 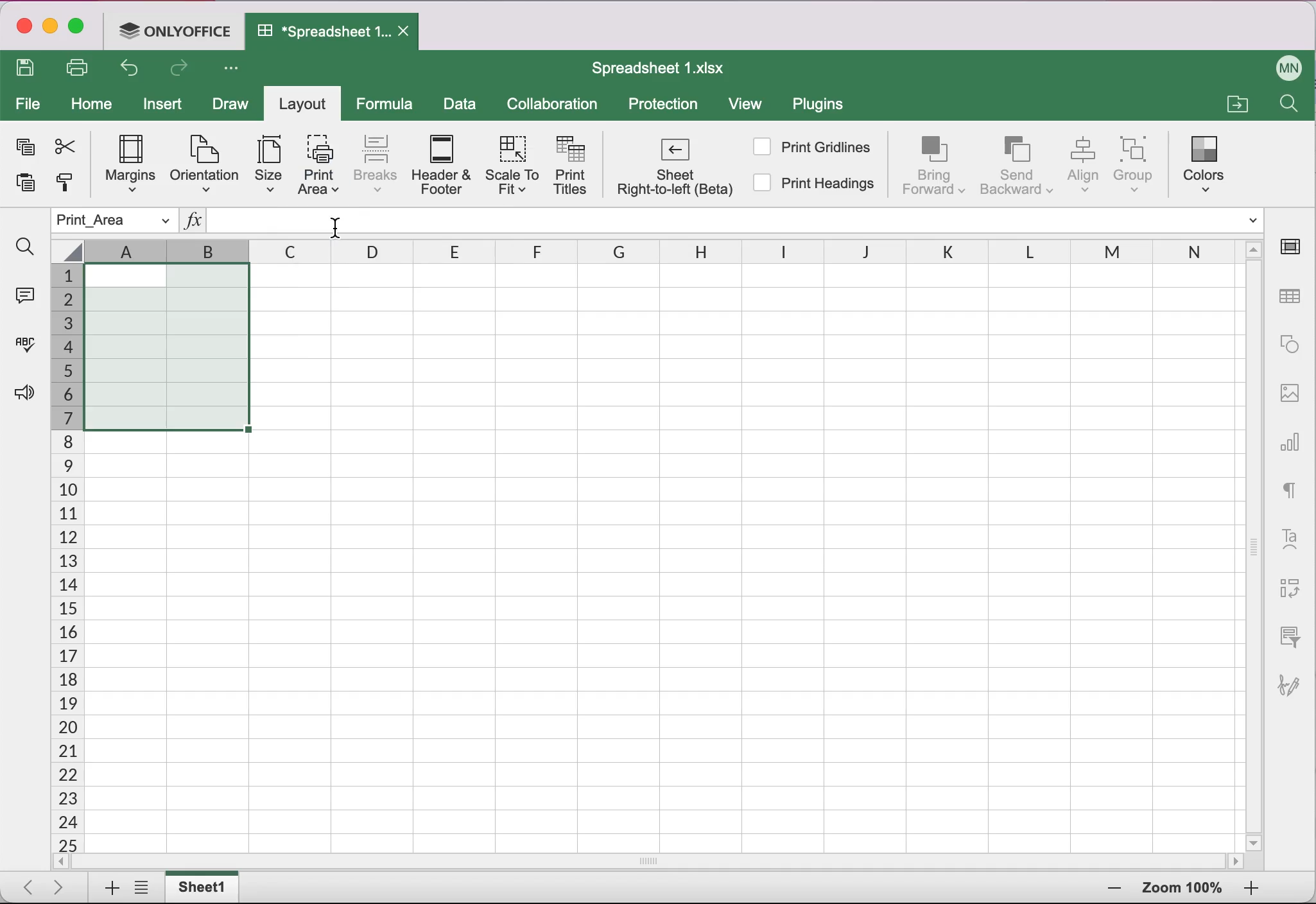 What do you see at coordinates (81, 29) in the screenshot?
I see `maximize` at bounding box center [81, 29].